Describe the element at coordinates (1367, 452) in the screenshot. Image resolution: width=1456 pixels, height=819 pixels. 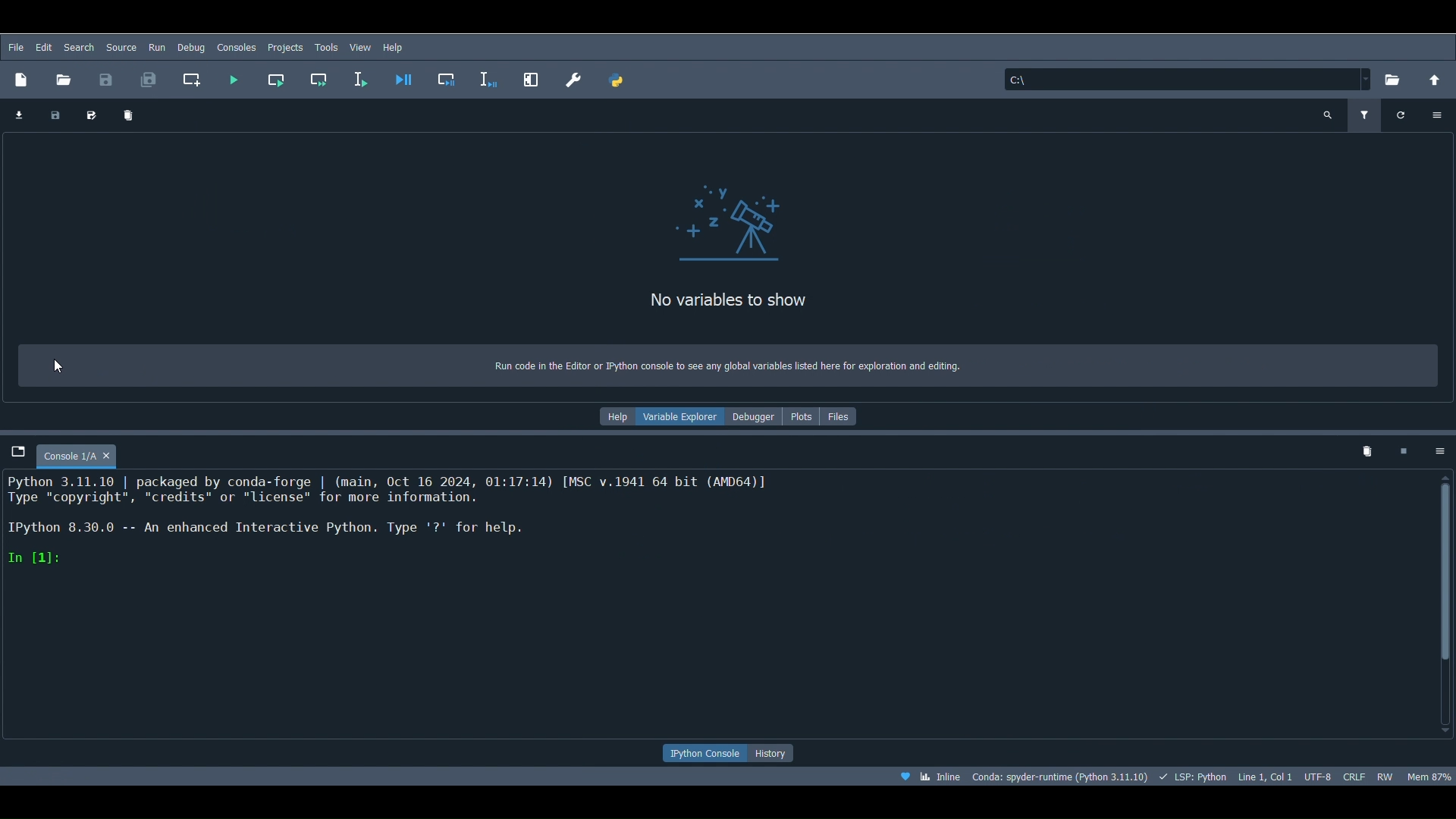
I see `Remove all variables from namespace` at that location.